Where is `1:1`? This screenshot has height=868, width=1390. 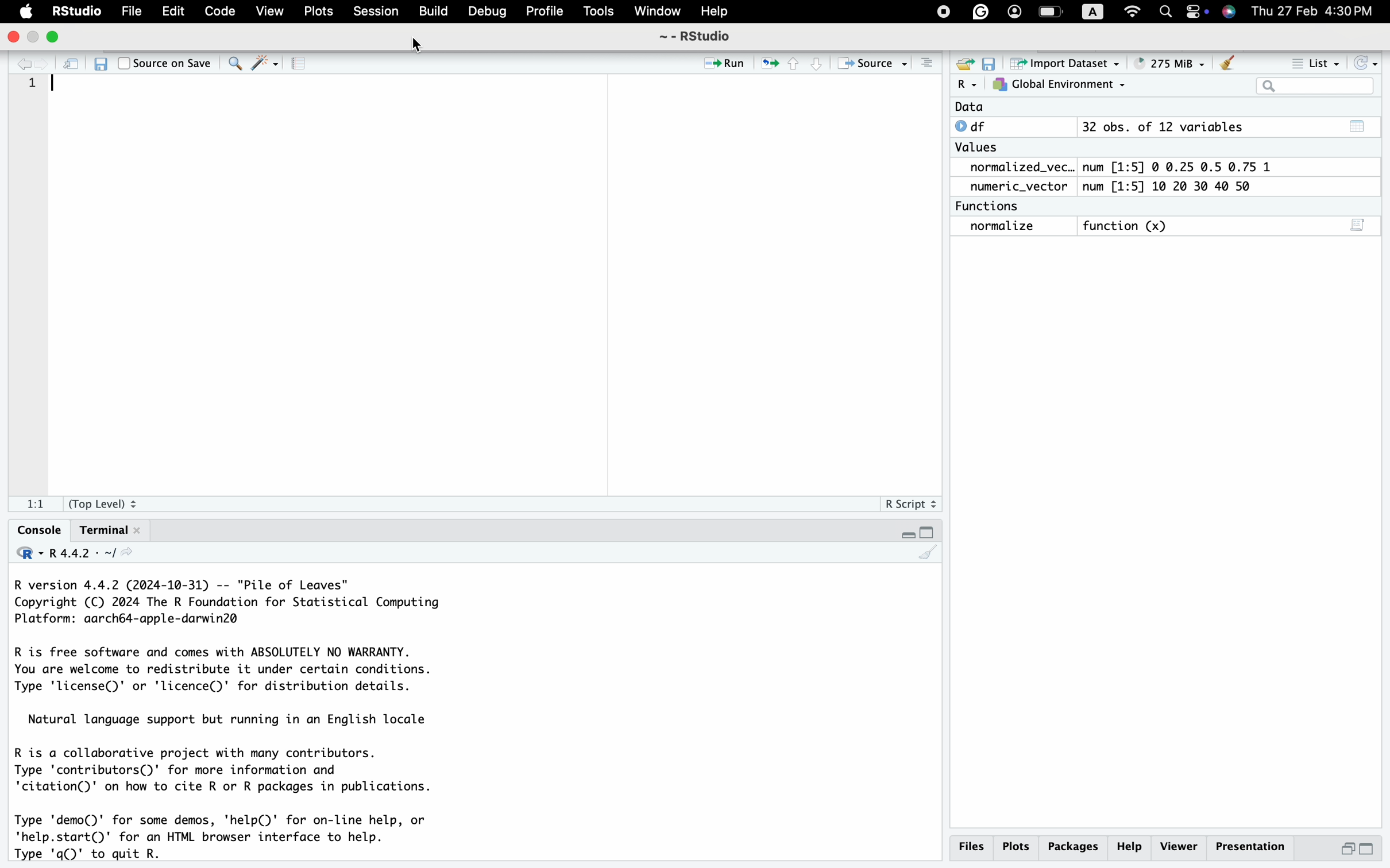
1:1 is located at coordinates (36, 505).